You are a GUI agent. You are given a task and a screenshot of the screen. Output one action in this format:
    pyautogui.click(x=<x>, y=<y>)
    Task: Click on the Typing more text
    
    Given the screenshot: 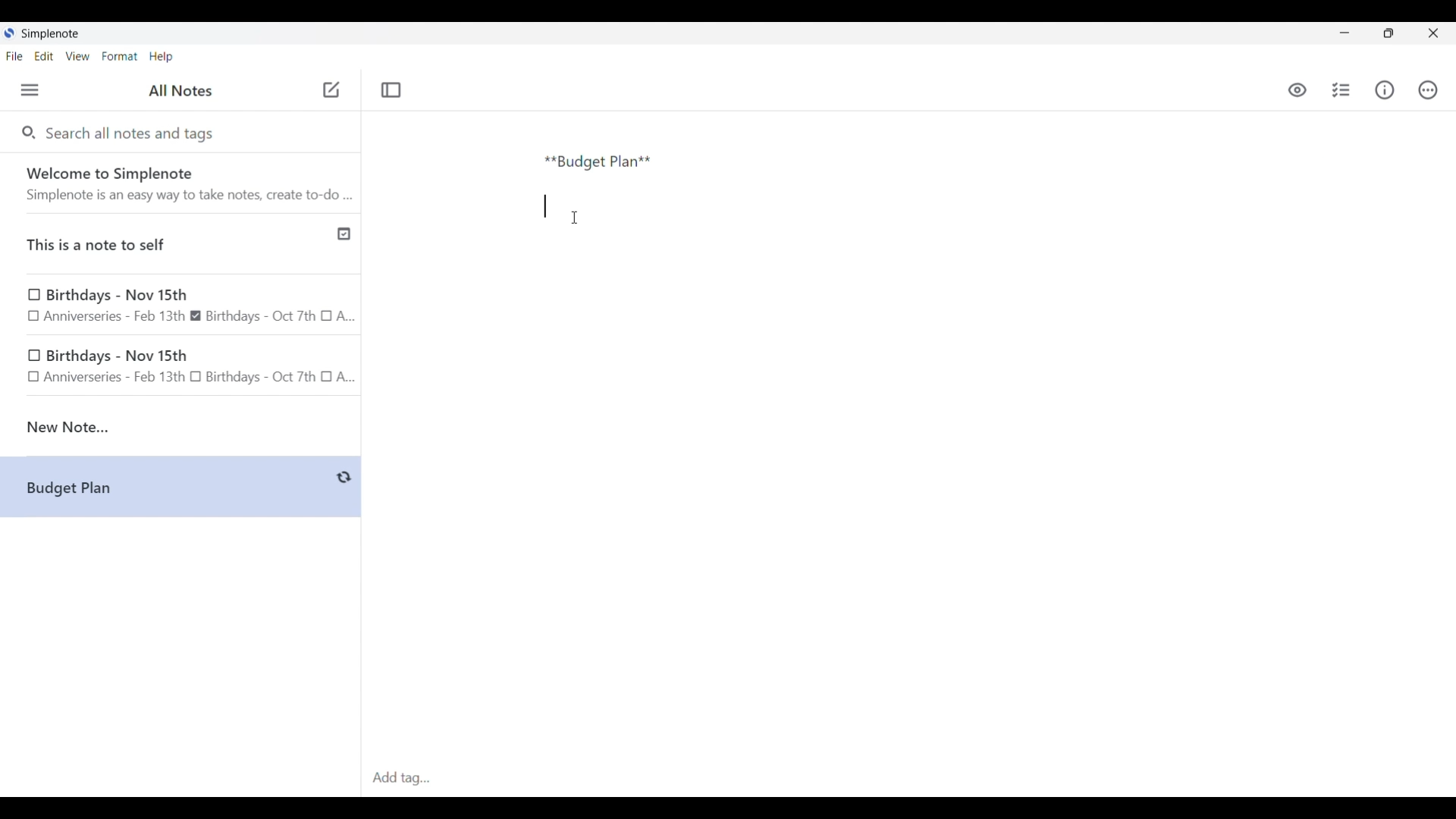 What is the action you would take?
    pyautogui.click(x=545, y=207)
    